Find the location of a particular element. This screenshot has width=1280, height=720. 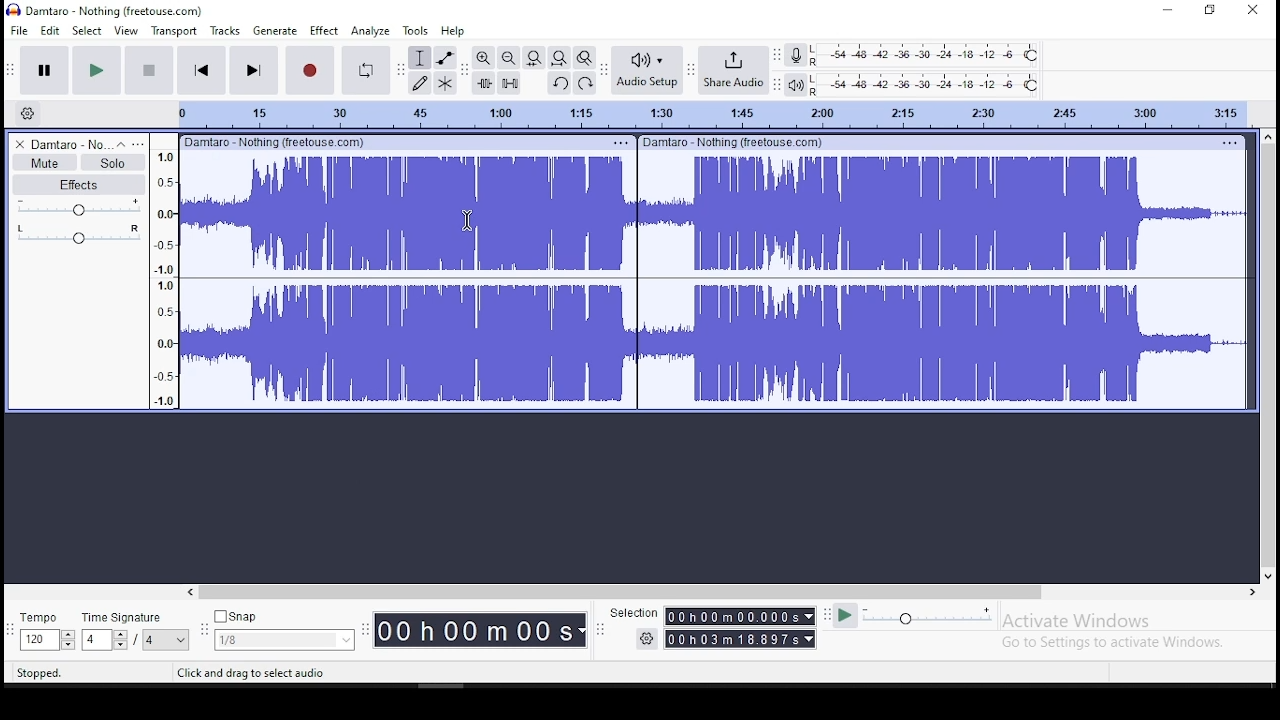

redo is located at coordinates (587, 84).